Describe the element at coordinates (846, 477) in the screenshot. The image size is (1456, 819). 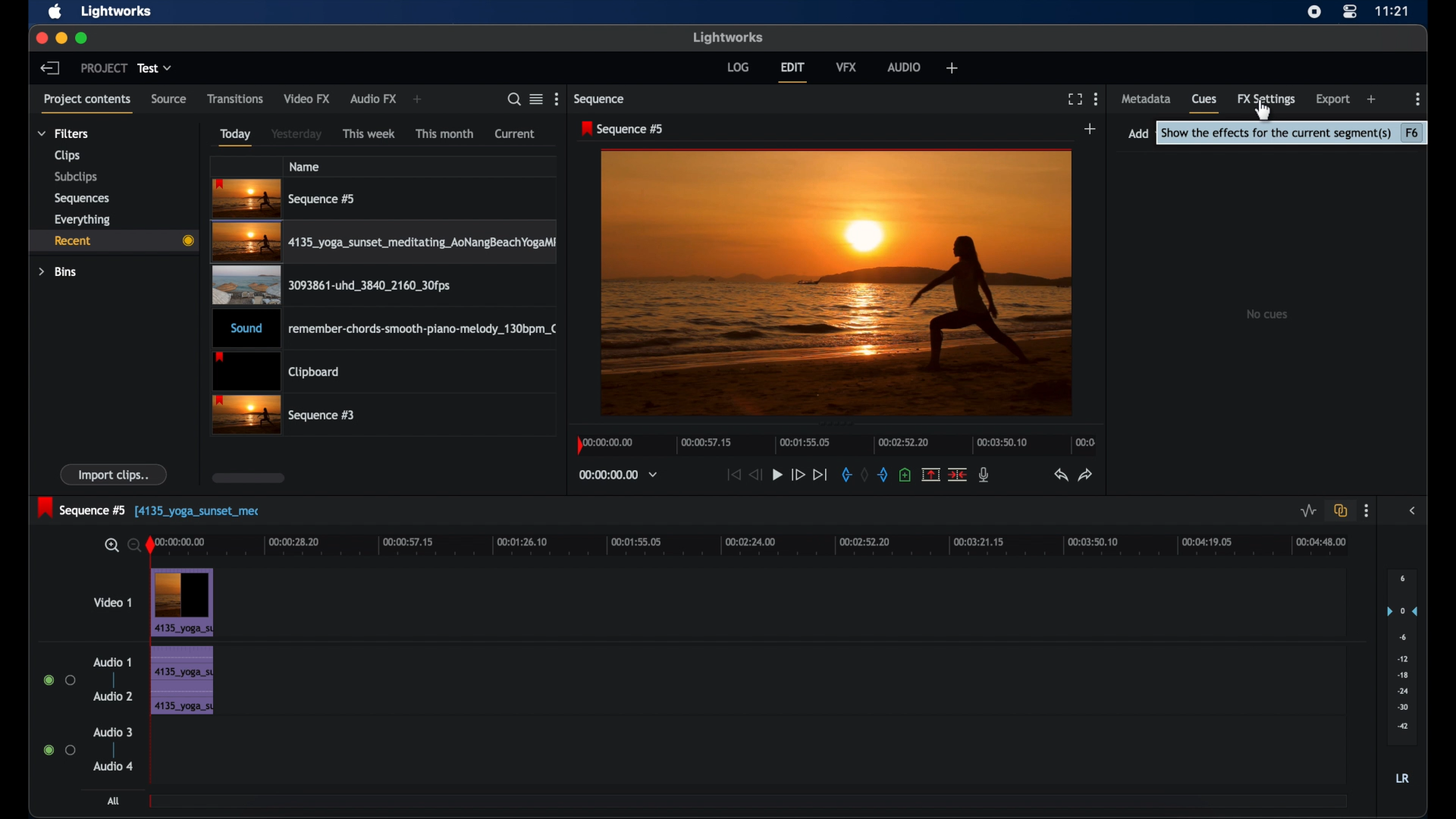
I see `in mark` at that location.